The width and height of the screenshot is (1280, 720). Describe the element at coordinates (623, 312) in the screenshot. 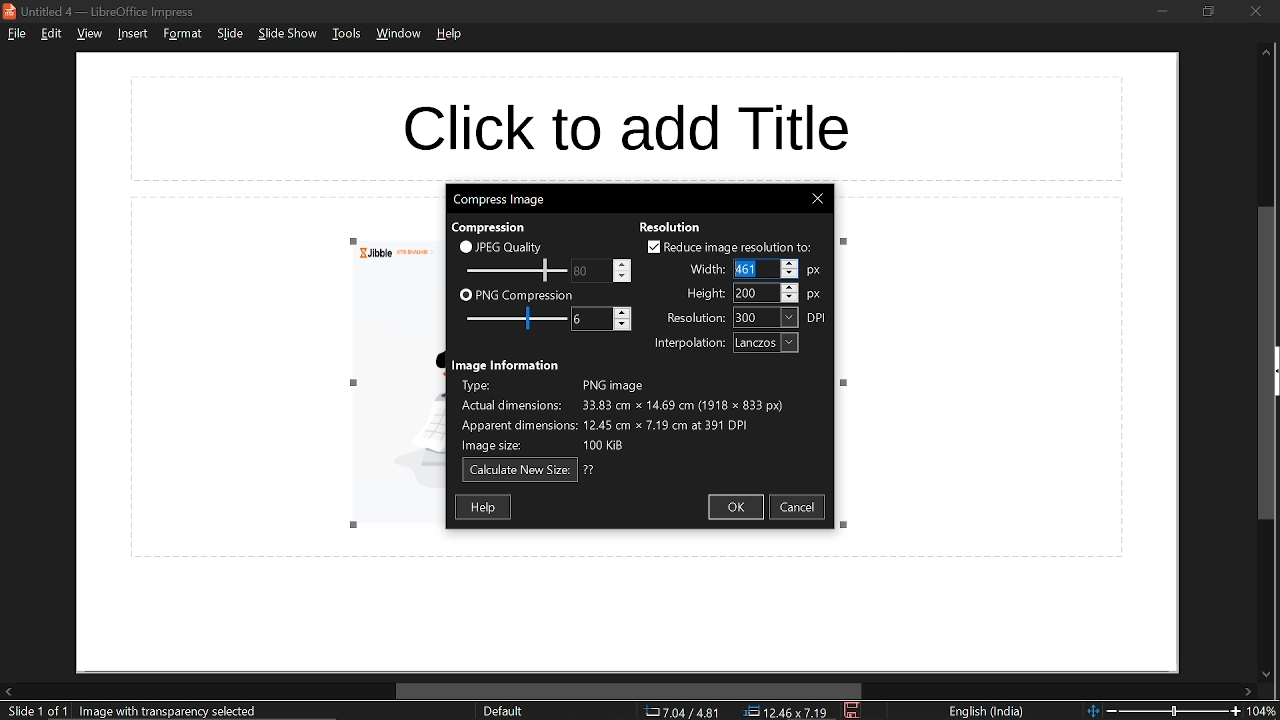

I see `Increase ` at that location.